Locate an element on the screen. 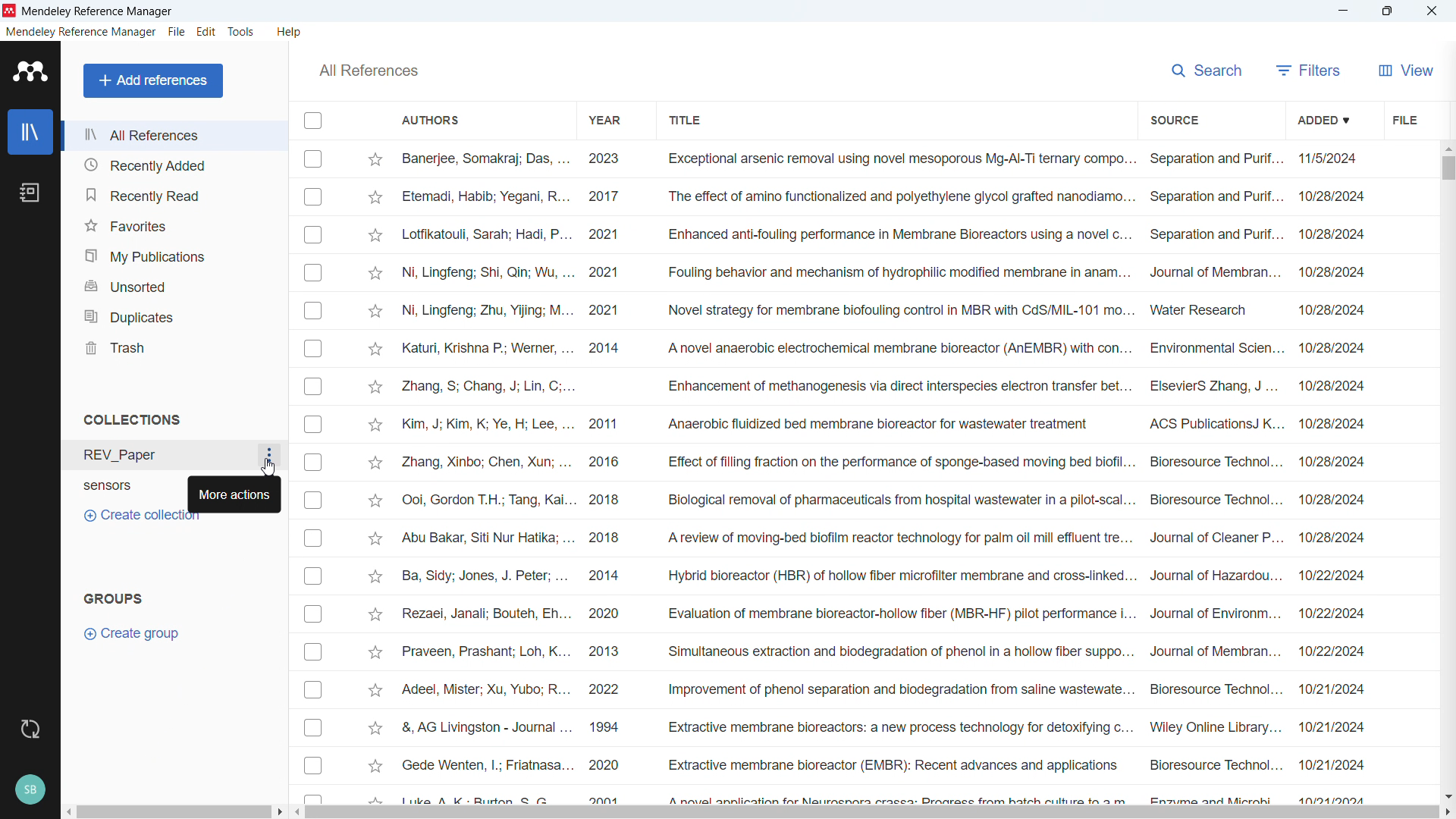  Recently added  is located at coordinates (174, 165).